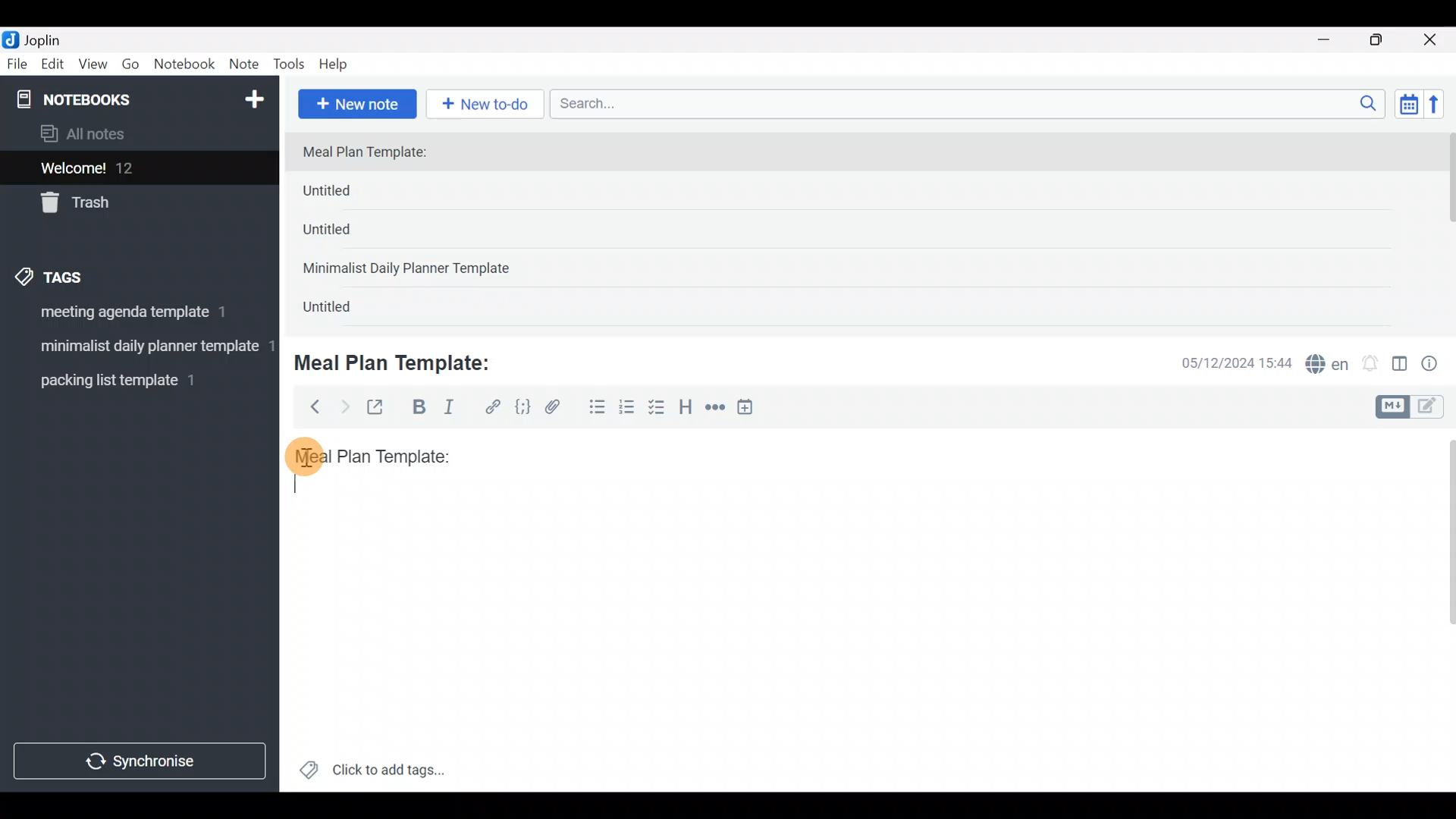 The width and height of the screenshot is (1456, 819). I want to click on Date & time, so click(1225, 362).